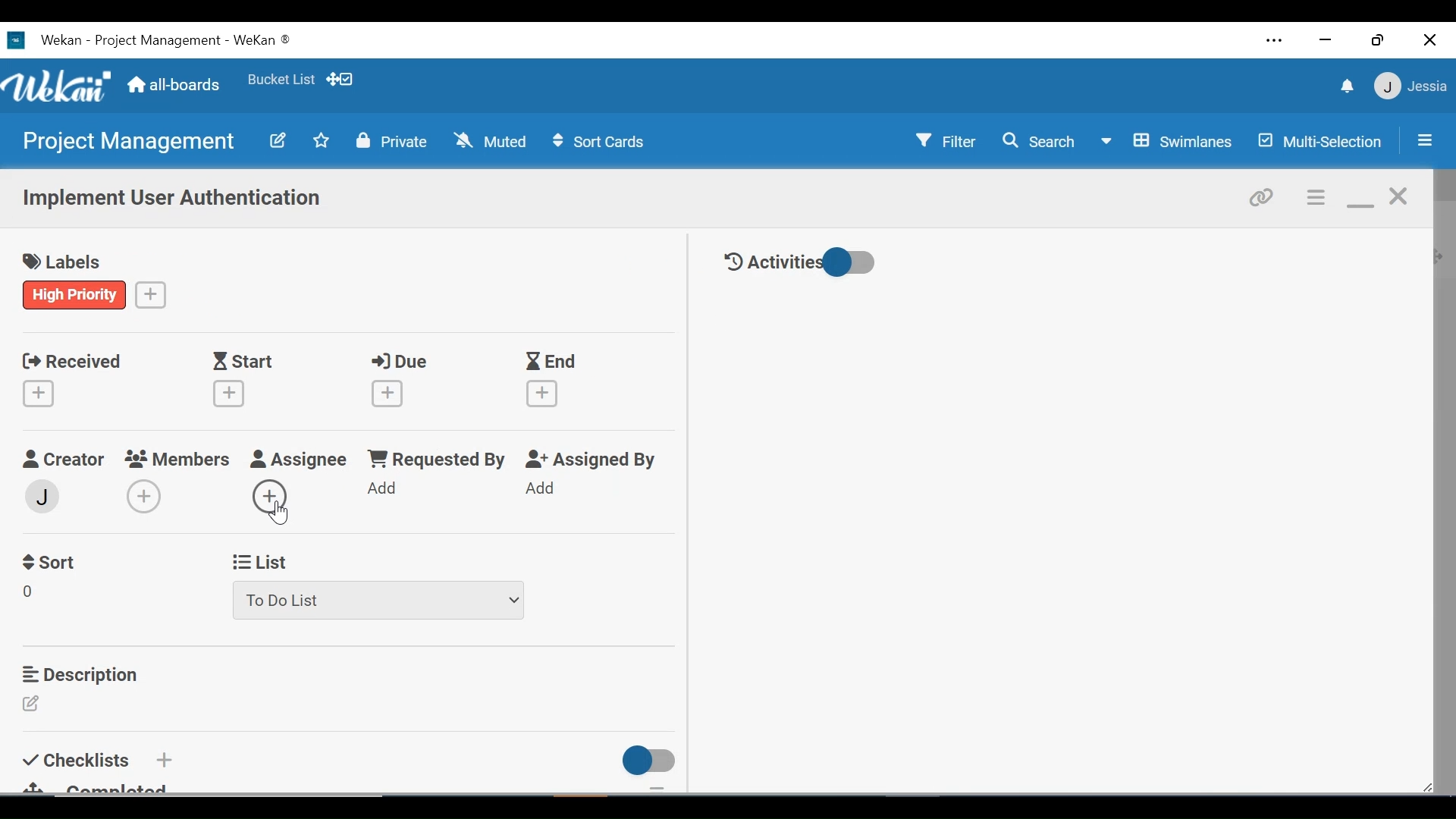  Describe the element at coordinates (174, 199) in the screenshot. I see `Implement User Authentication` at that location.